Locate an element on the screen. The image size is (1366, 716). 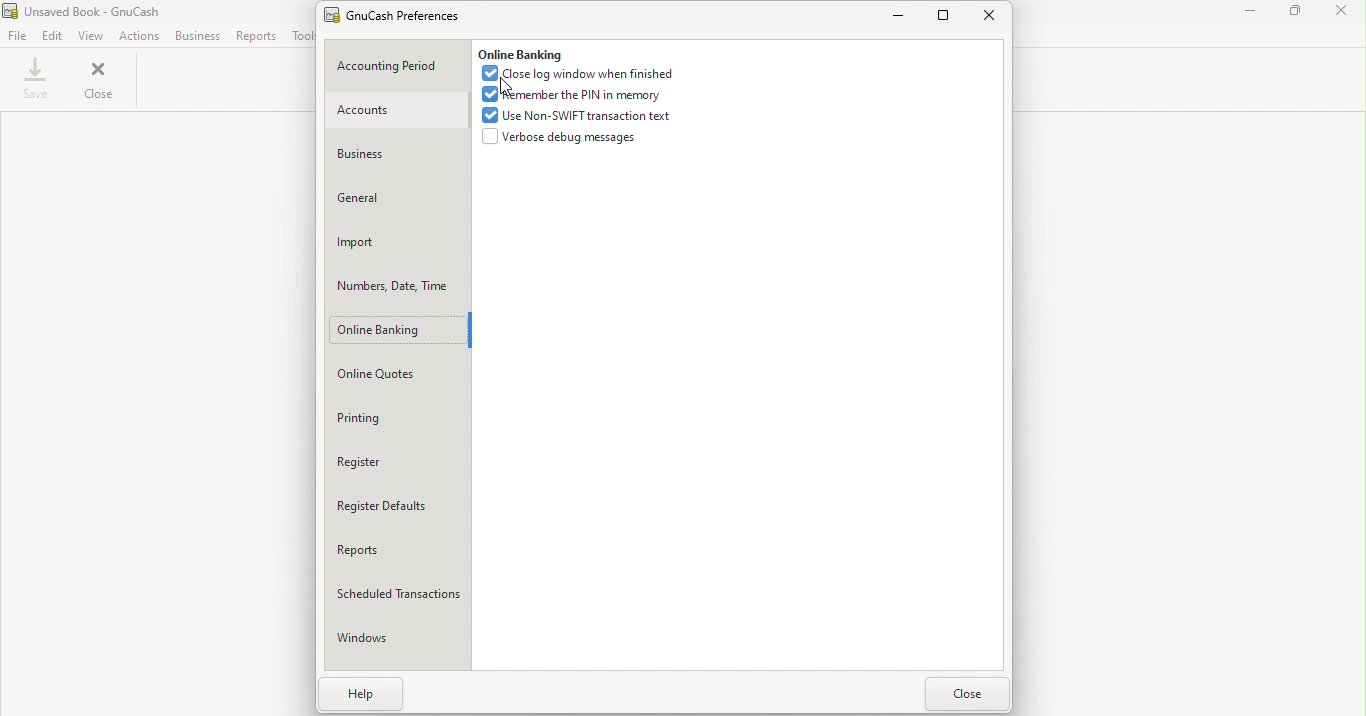
GnuCash preferences is located at coordinates (402, 14).